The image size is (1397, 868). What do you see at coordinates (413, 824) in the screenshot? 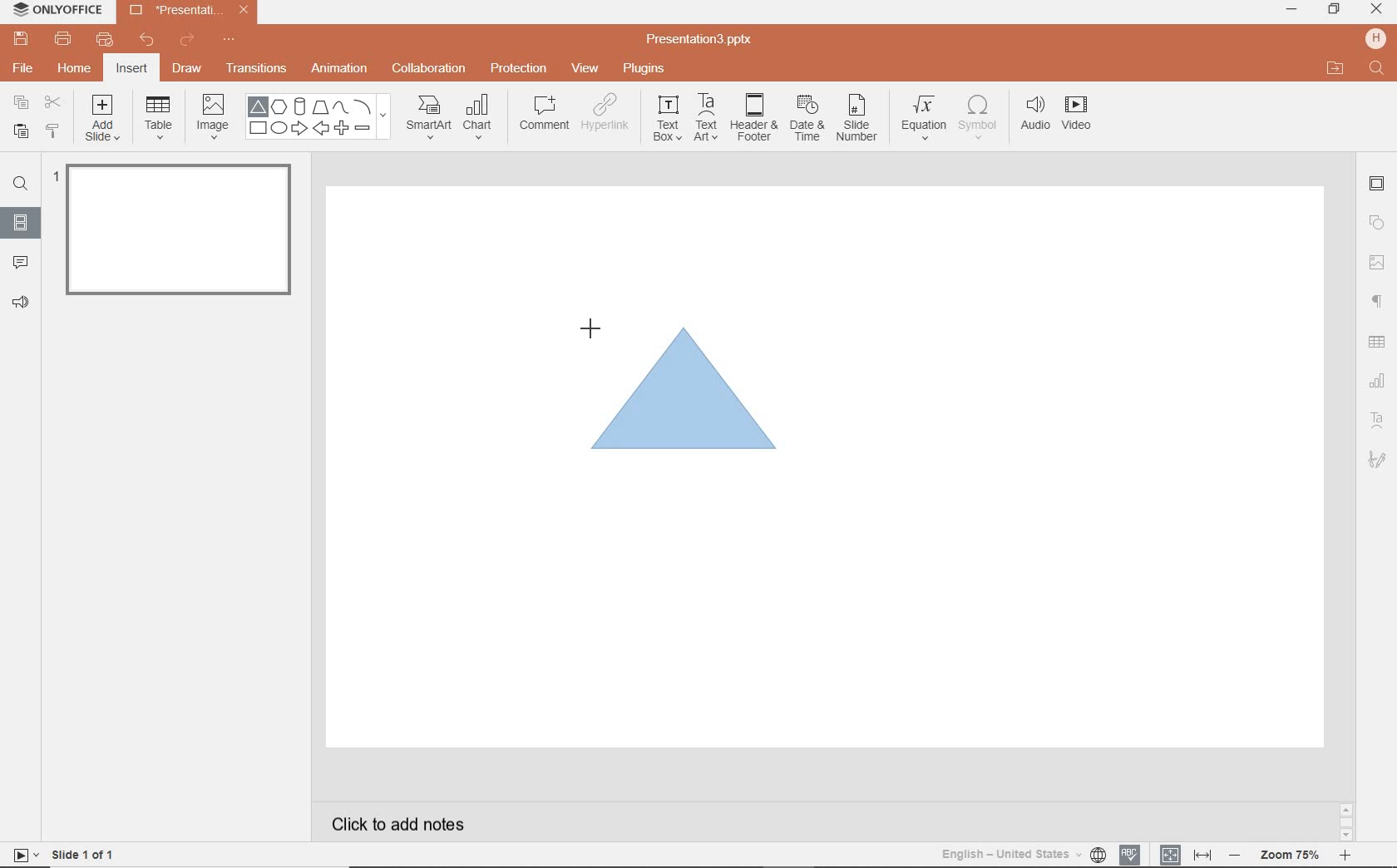
I see `CLICK TO ADD NOTES` at bounding box center [413, 824].